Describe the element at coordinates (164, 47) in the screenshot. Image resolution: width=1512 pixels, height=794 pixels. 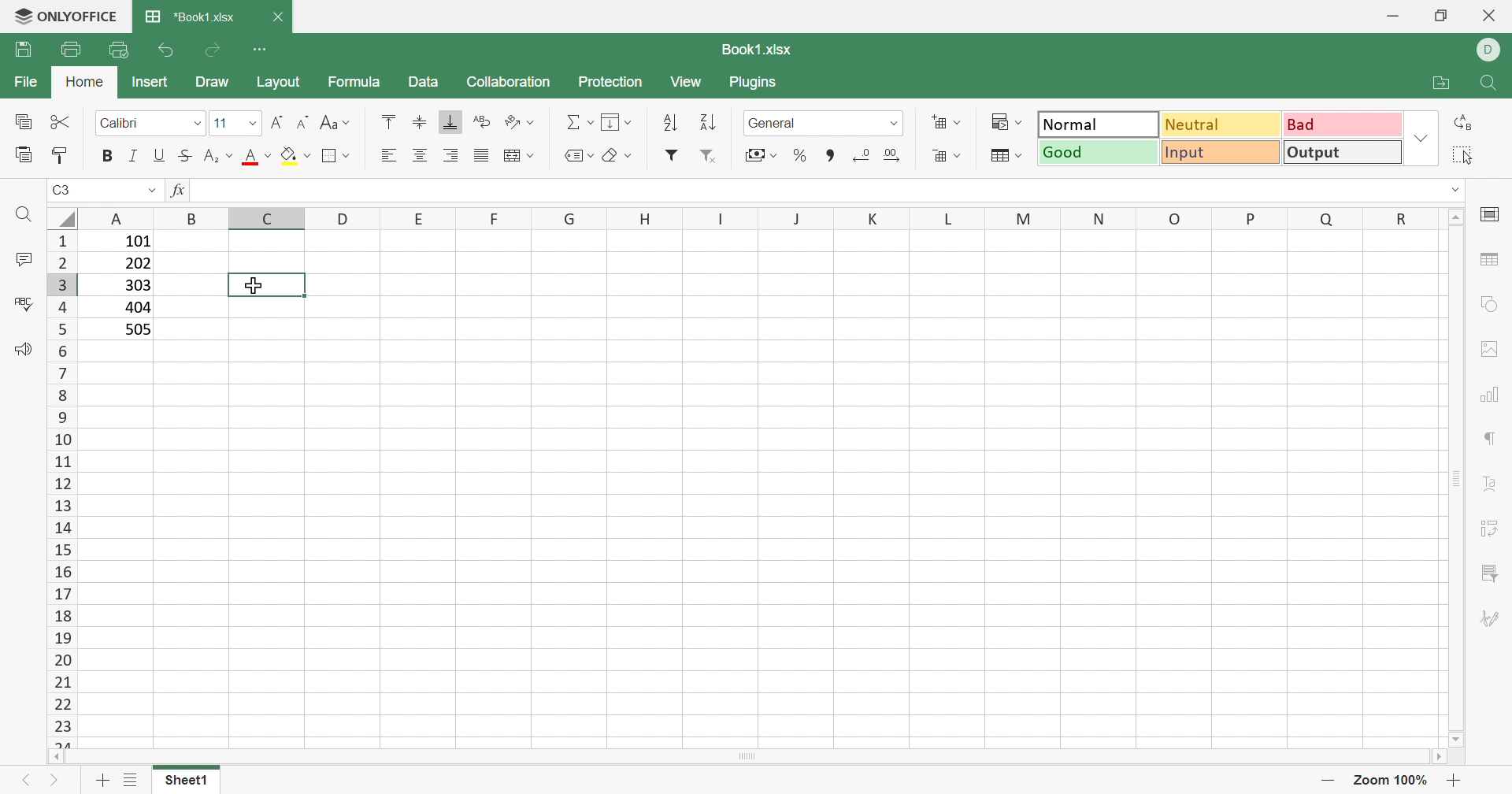
I see `Undo` at that location.